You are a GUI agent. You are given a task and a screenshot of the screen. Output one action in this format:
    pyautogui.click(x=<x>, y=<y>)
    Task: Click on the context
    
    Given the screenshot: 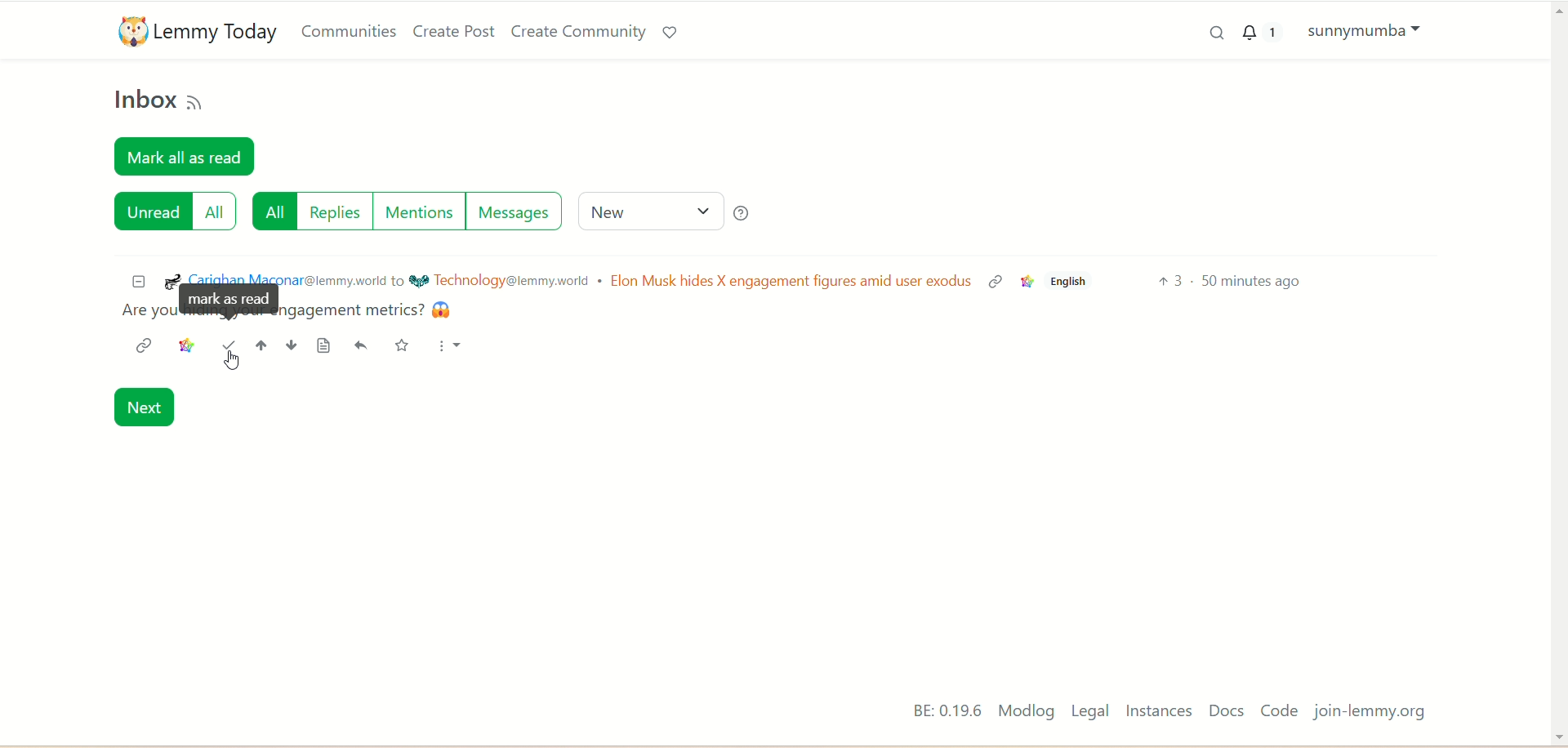 What is the action you would take?
    pyautogui.click(x=1026, y=283)
    